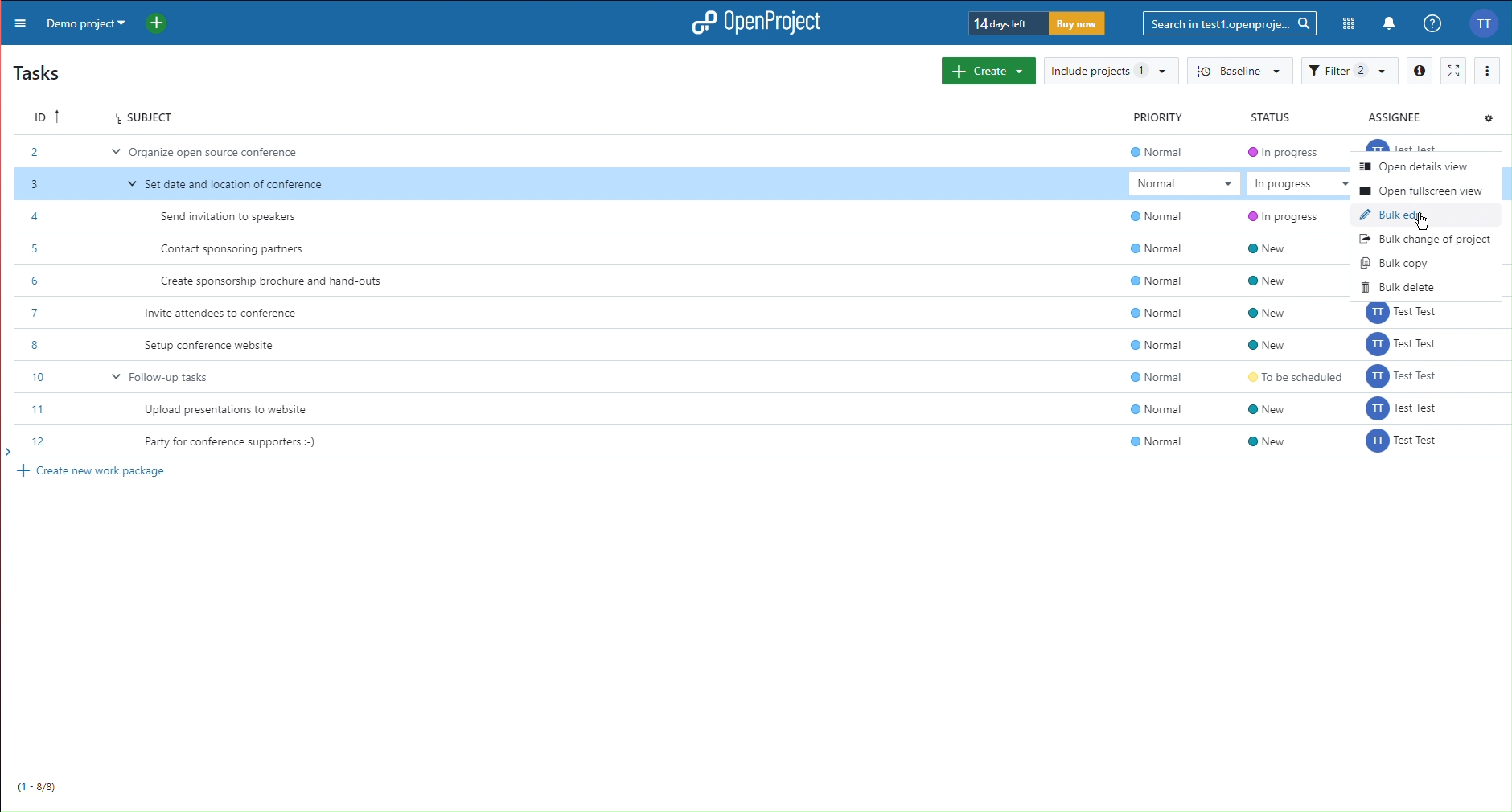 This screenshot has width=1512, height=812. What do you see at coordinates (1404, 379) in the screenshot?
I see `` at bounding box center [1404, 379].